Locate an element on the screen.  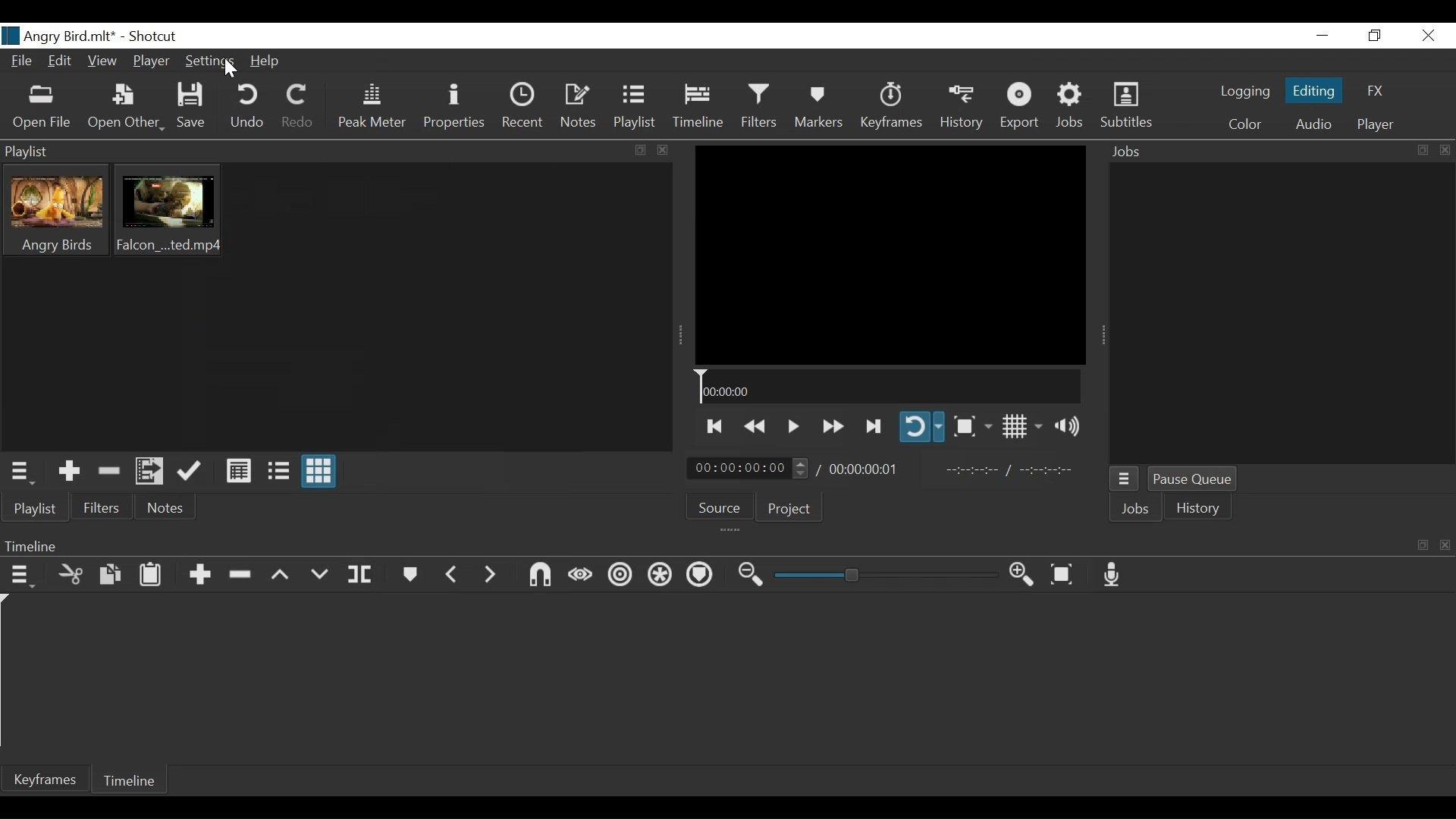
File name is located at coordinates (60, 35).